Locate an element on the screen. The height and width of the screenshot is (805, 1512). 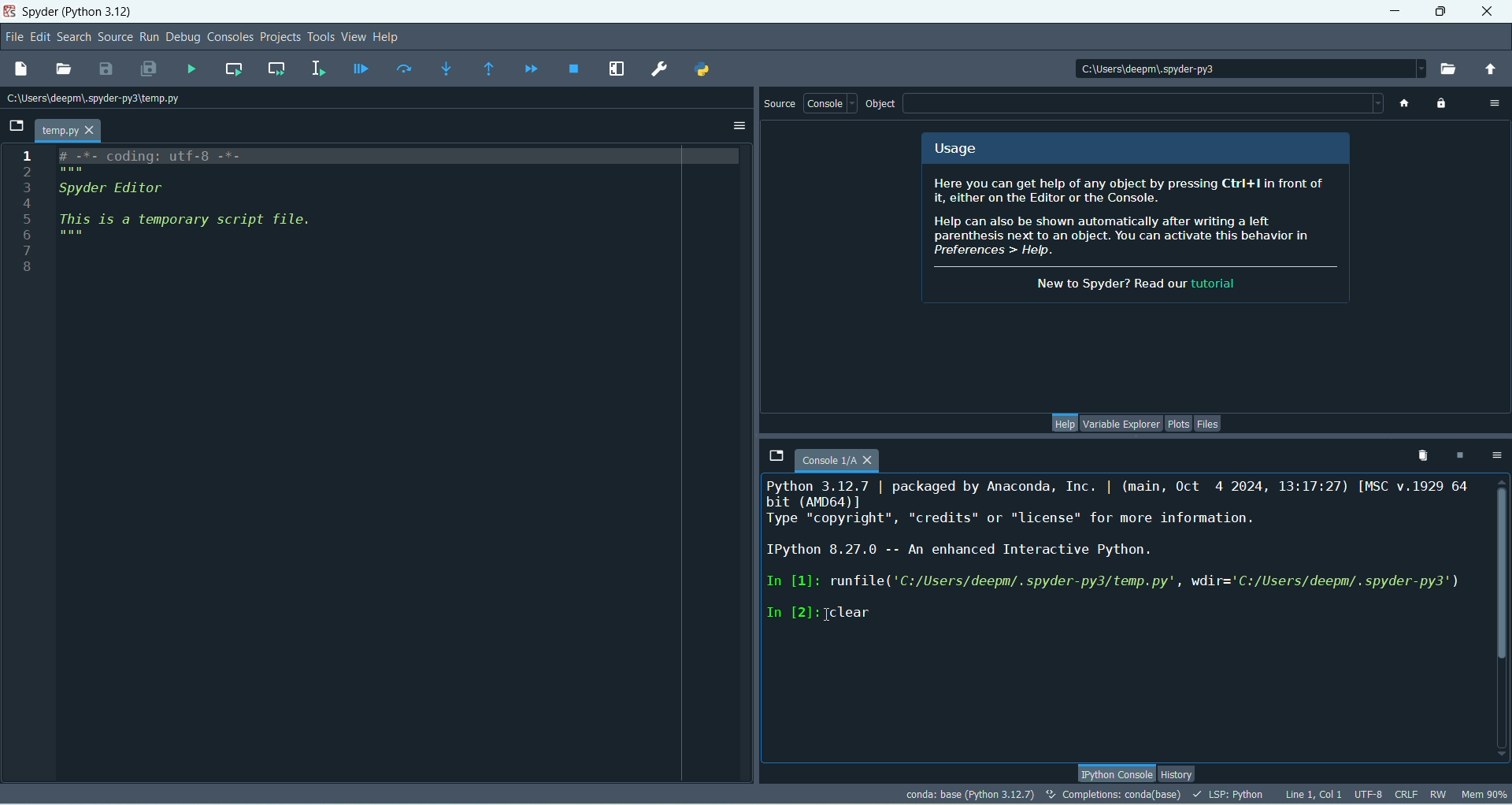
change to parent directory is located at coordinates (1491, 70).